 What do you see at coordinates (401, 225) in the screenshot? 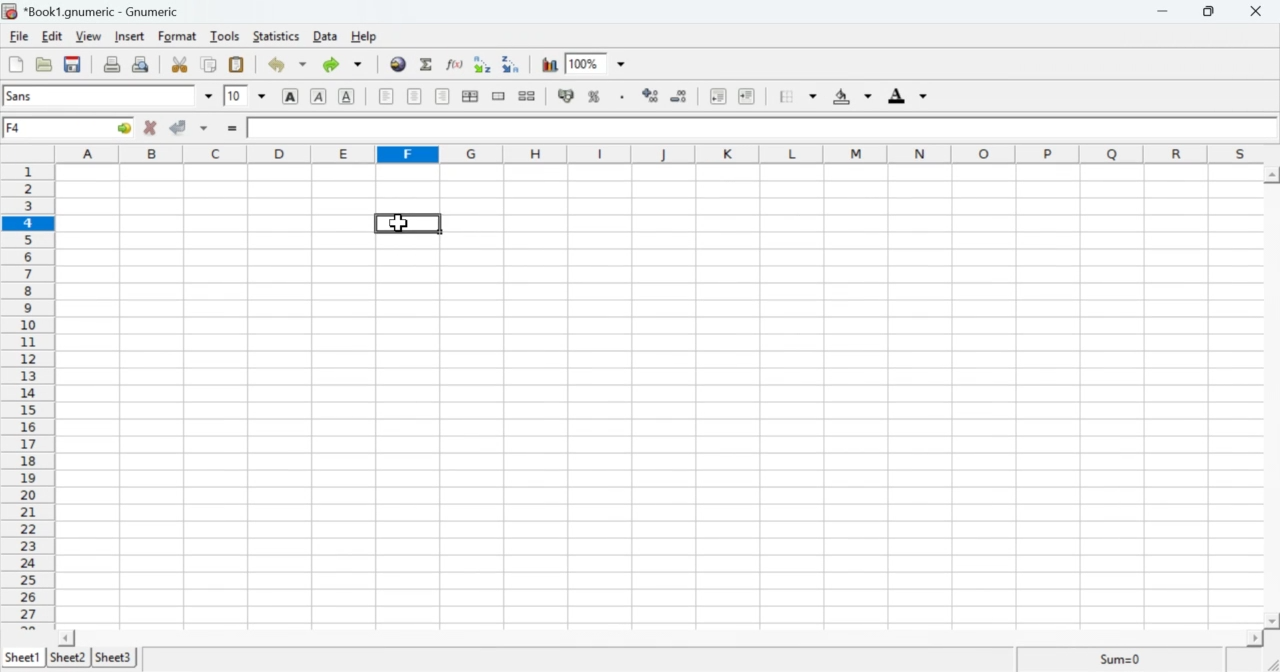
I see `cursor` at bounding box center [401, 225].